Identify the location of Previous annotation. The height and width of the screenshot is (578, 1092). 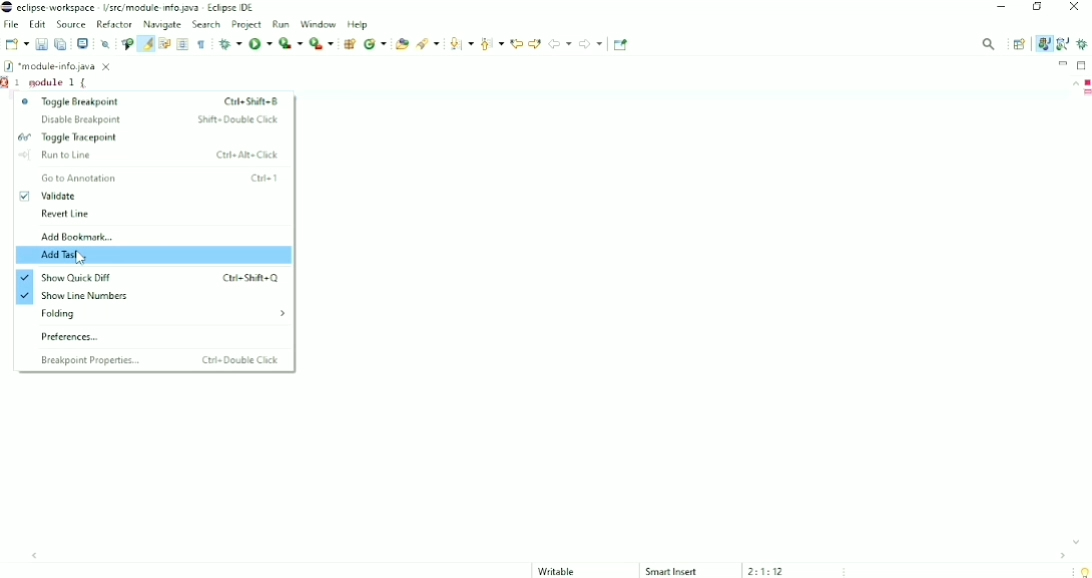
(491, 44).